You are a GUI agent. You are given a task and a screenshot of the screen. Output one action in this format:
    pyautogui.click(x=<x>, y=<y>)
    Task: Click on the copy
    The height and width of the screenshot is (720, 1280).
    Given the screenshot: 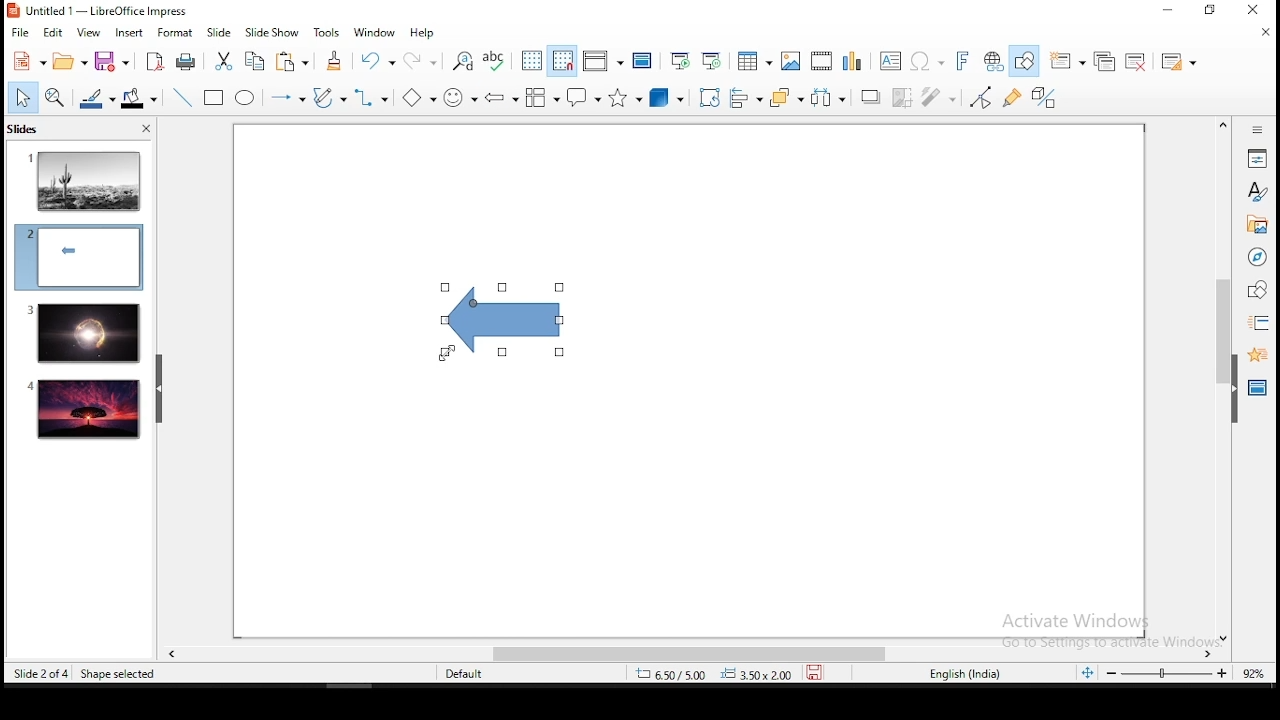 What is the action you would take?
    pyautogui.click(x=254, y=61)
    